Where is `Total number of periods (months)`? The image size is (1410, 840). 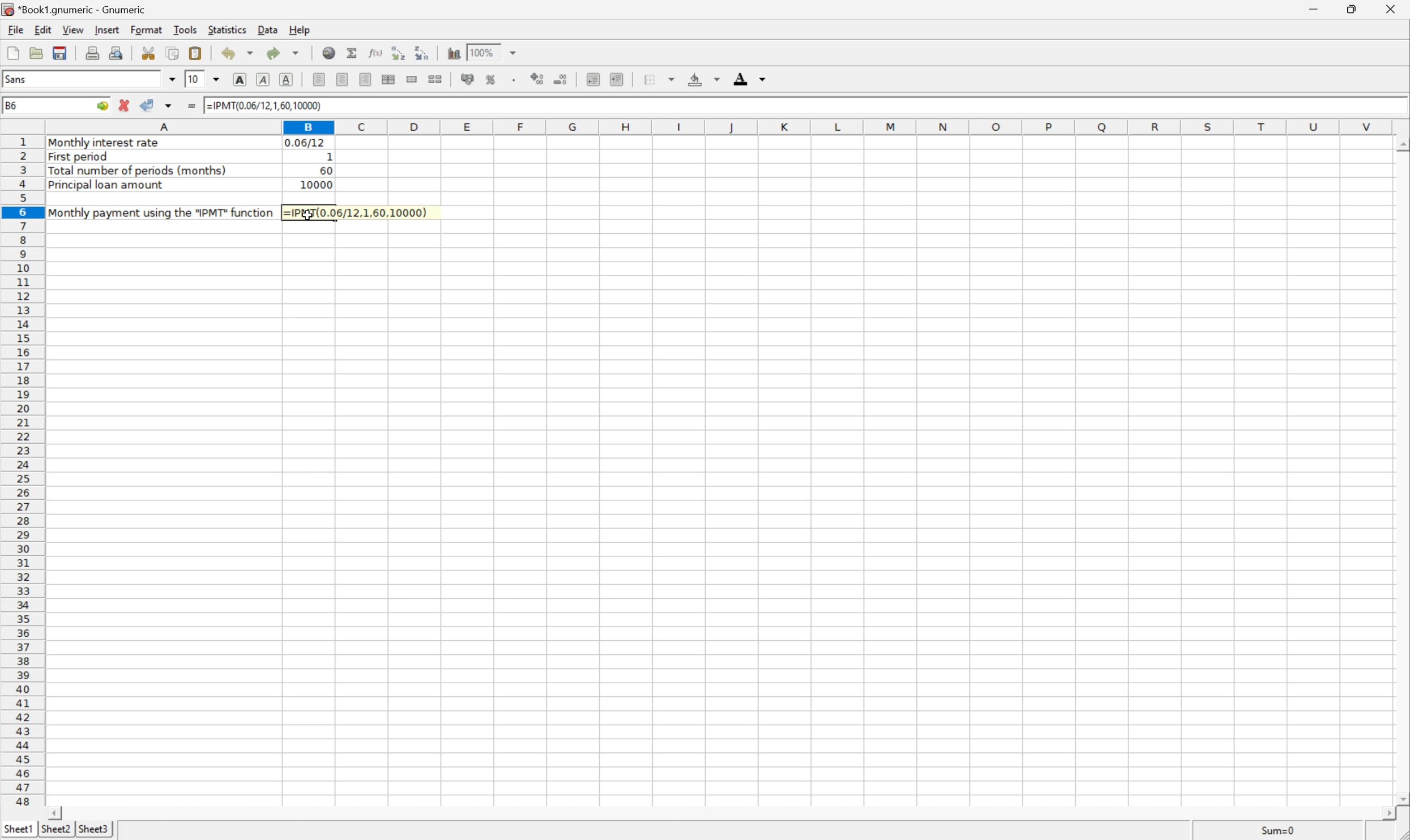 Total number of periods (months) is located at coordinates (140, 170).